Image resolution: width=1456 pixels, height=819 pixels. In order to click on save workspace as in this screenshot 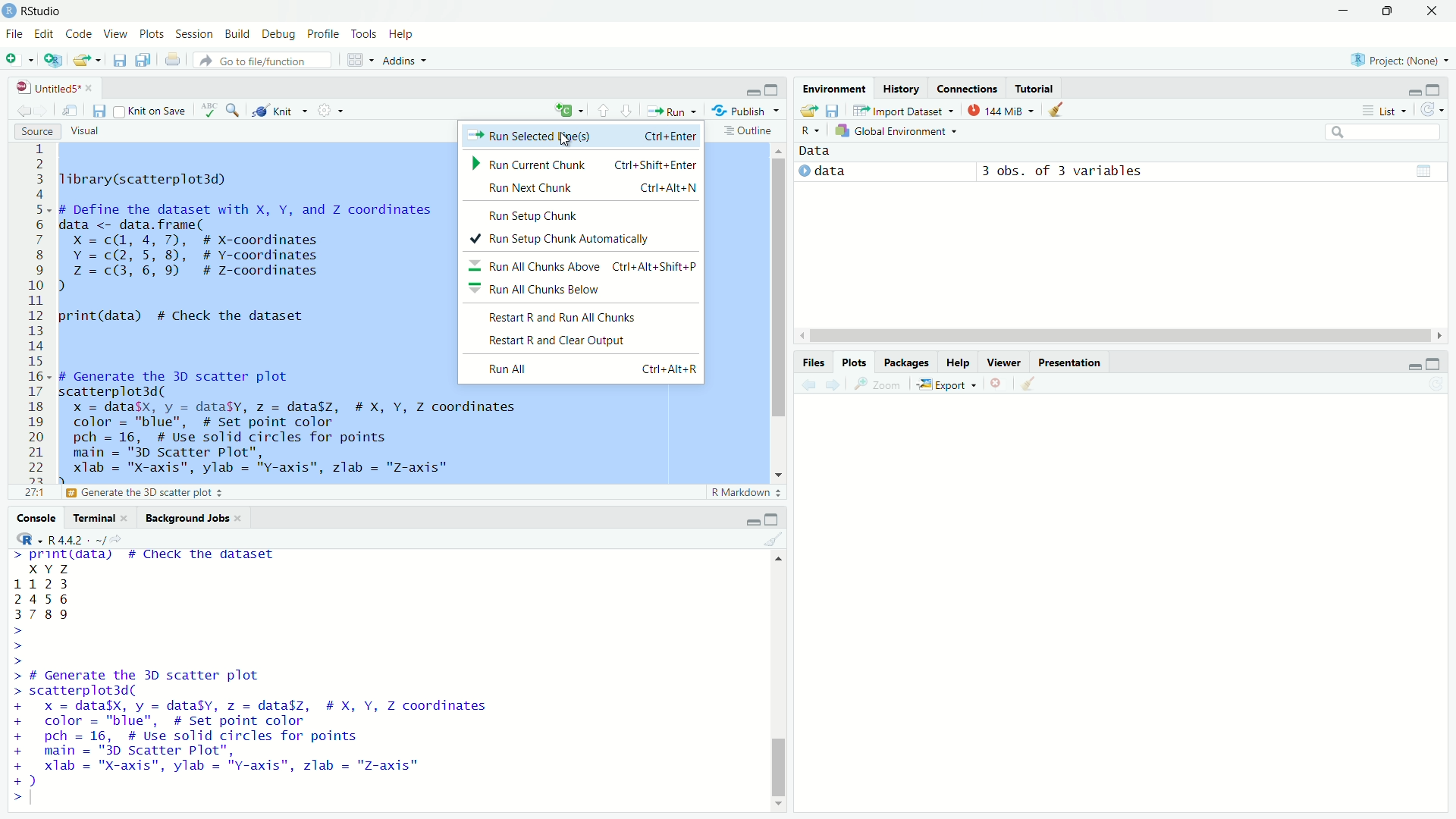, I will do `click(835, 111)`.